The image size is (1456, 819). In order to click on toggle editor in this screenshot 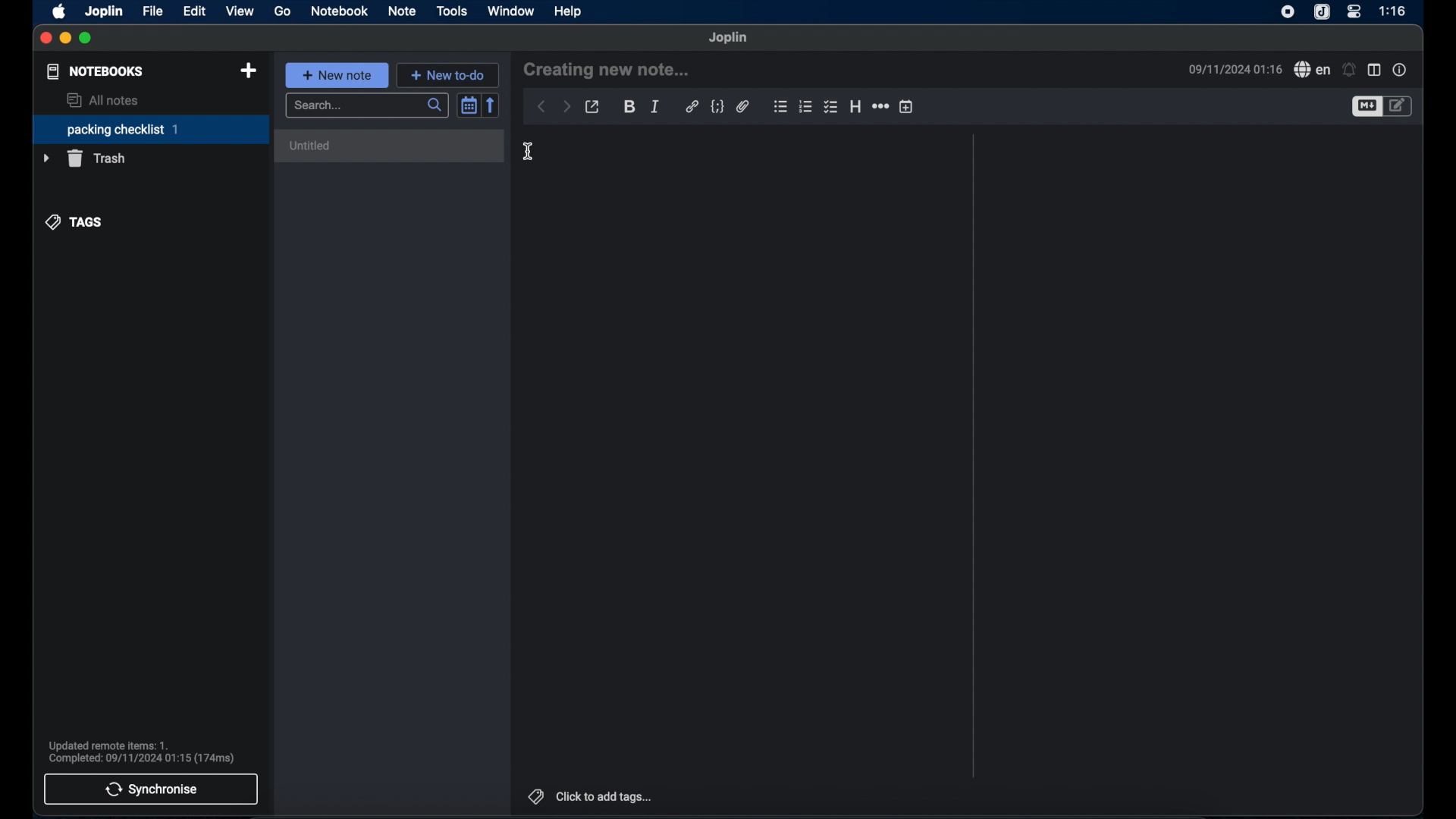, I will do `click(1366, 107)`.